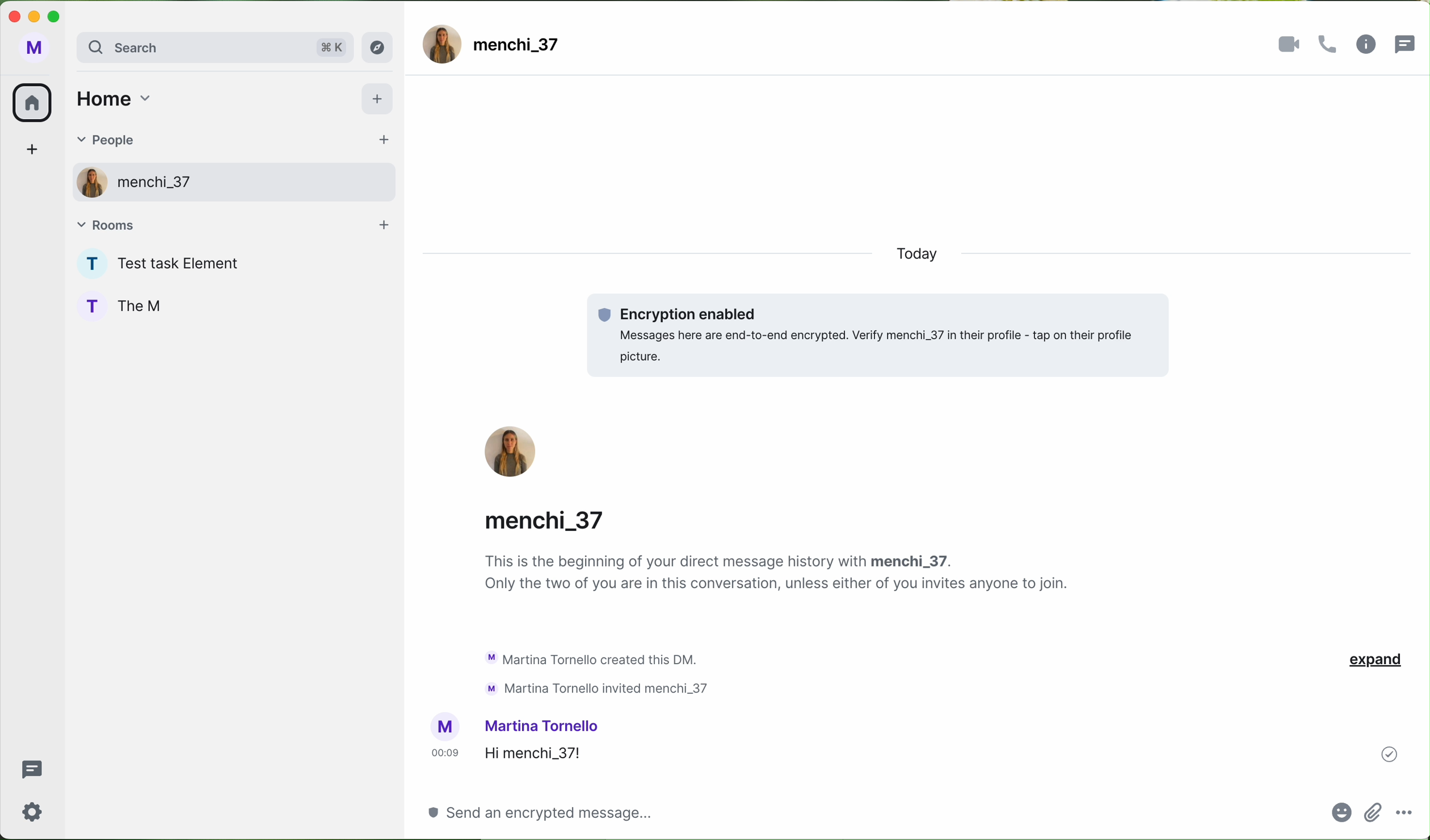  What do you see at coordinates (148, 307) in the screenshot?
I see `The M` at bounding box center [148, 307].